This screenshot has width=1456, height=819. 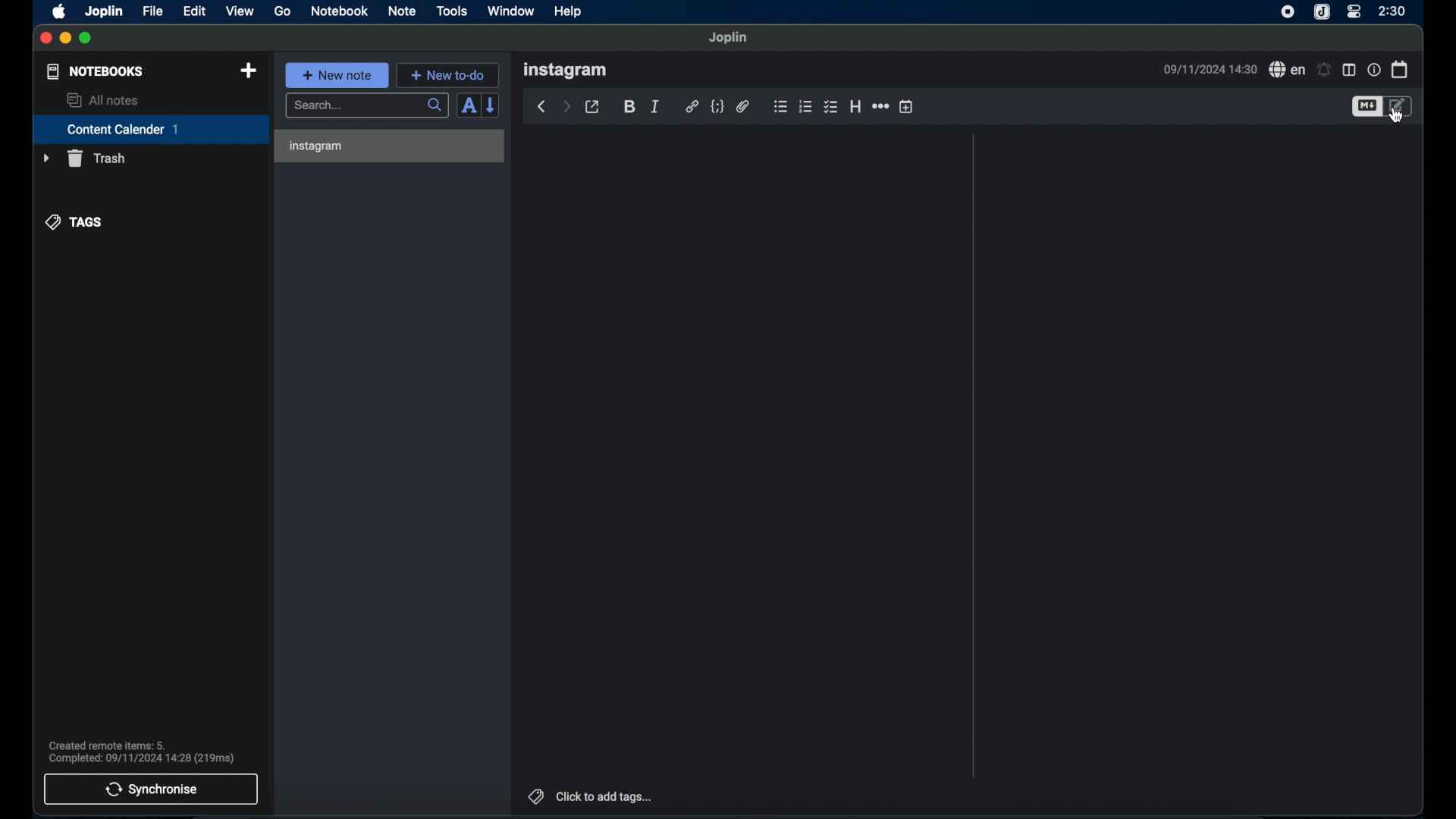 What do you see at coordinates (368, 106) in the screenshot?
I see `search bar` at bounding box center [368, 106].